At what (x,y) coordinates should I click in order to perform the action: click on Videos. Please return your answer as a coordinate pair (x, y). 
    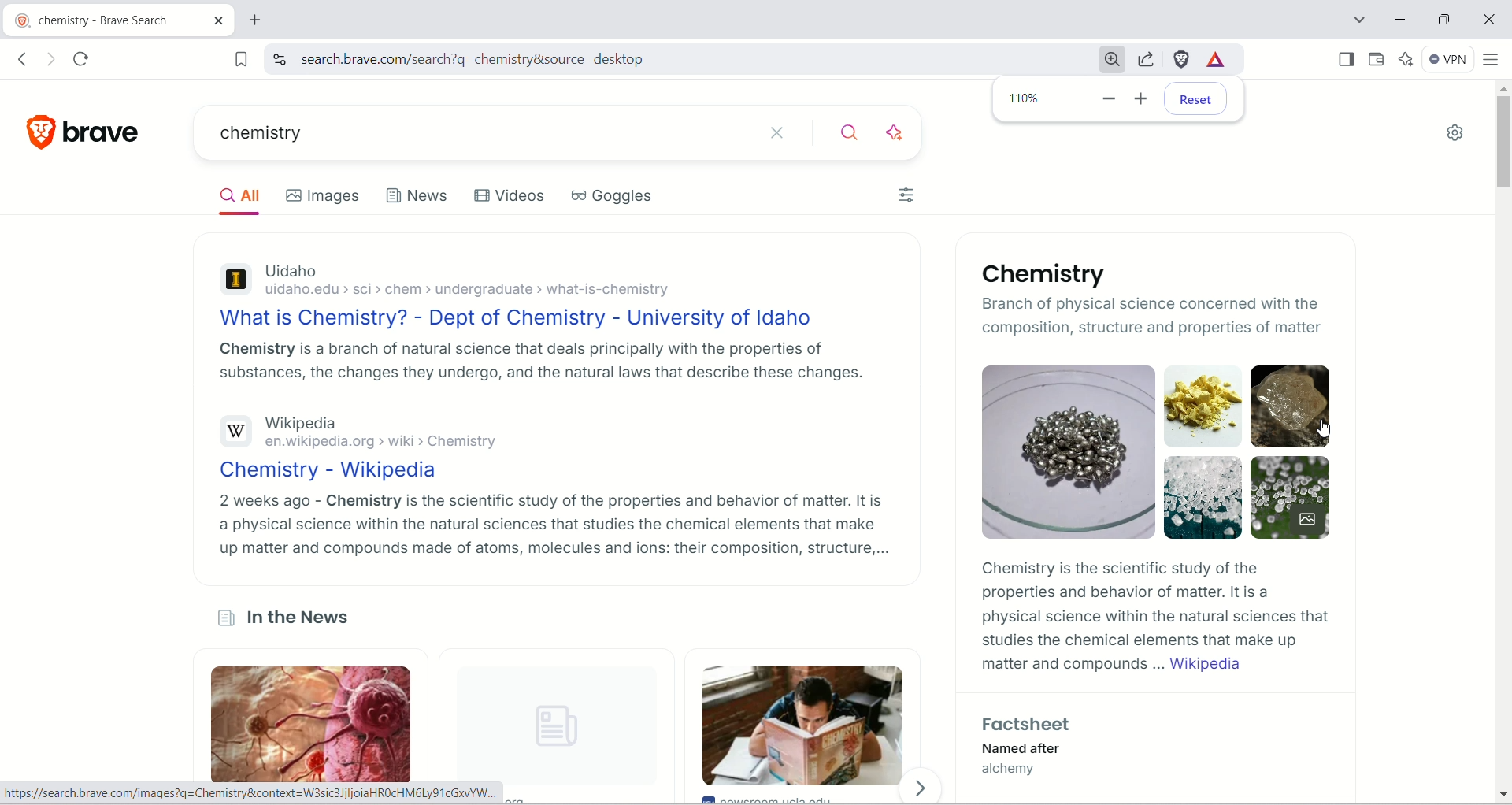
    Looking at the image, I should click on (507, 195).